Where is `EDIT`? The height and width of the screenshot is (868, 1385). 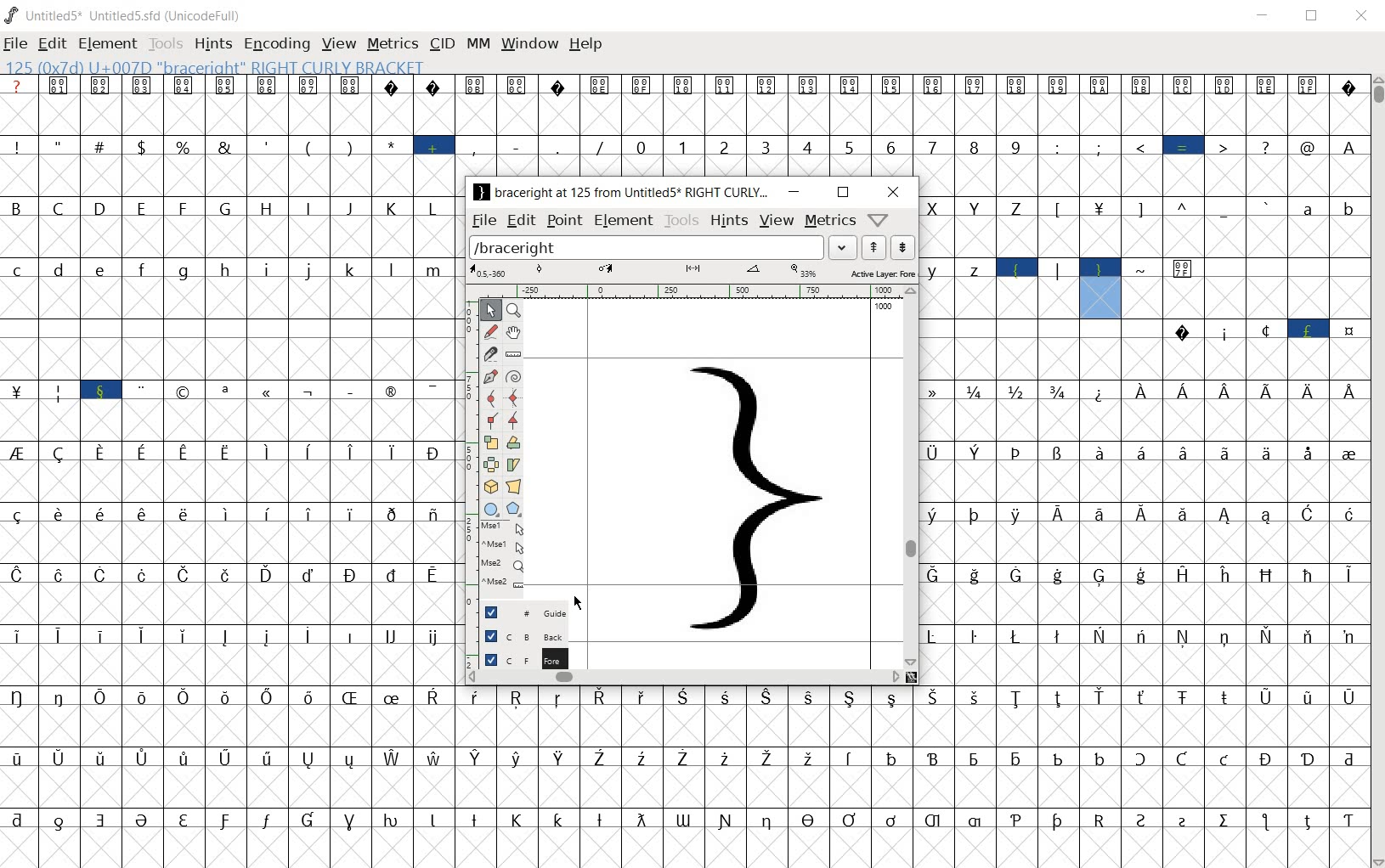 EDIT is located at coordinates (52, 45).